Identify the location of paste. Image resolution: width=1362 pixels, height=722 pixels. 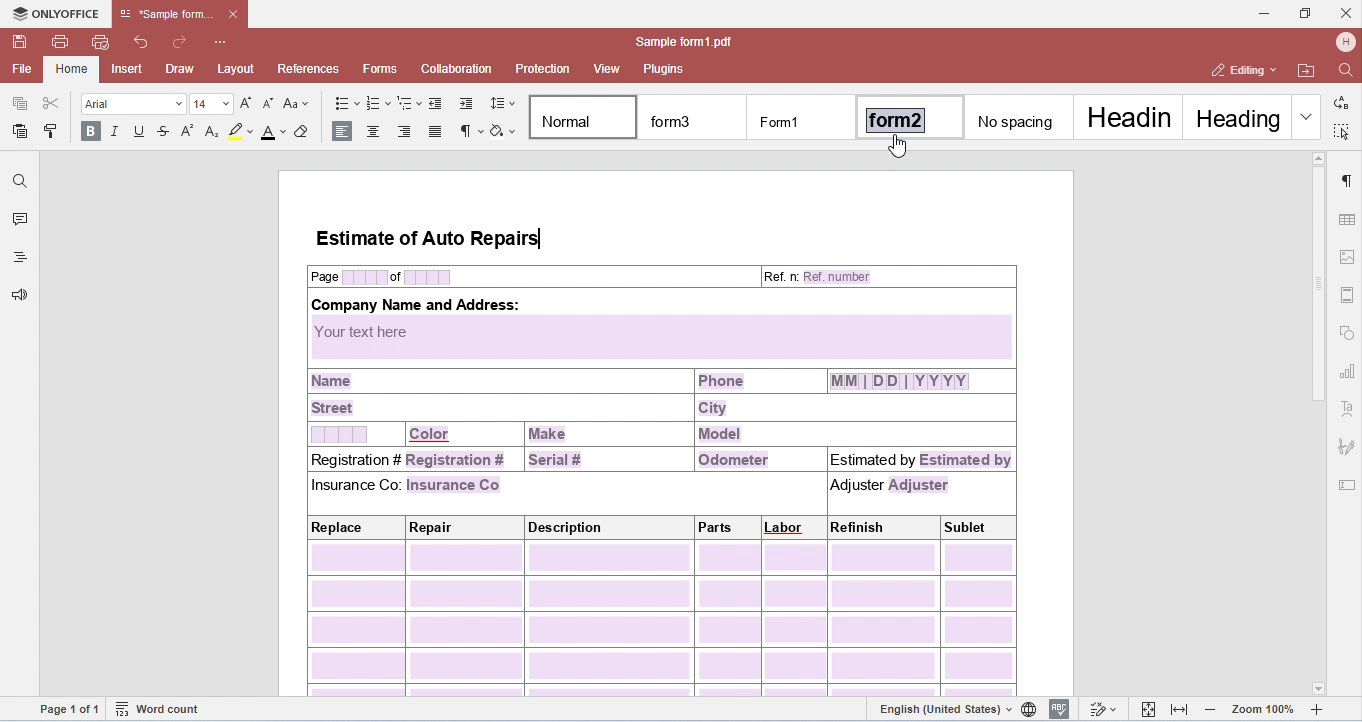
(21, 131).